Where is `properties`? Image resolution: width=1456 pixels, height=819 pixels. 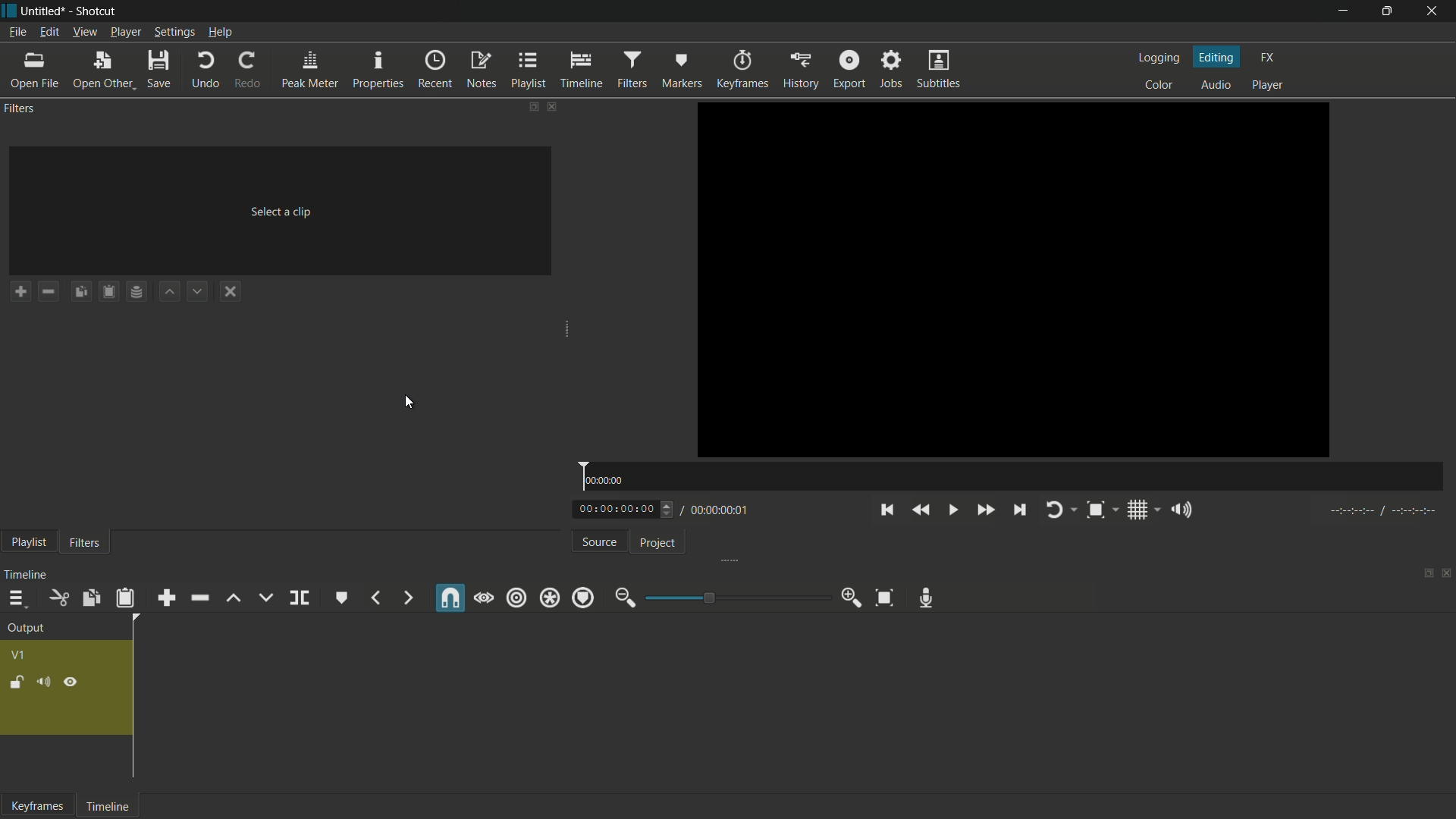
properties is located at coordinates (377, 69).